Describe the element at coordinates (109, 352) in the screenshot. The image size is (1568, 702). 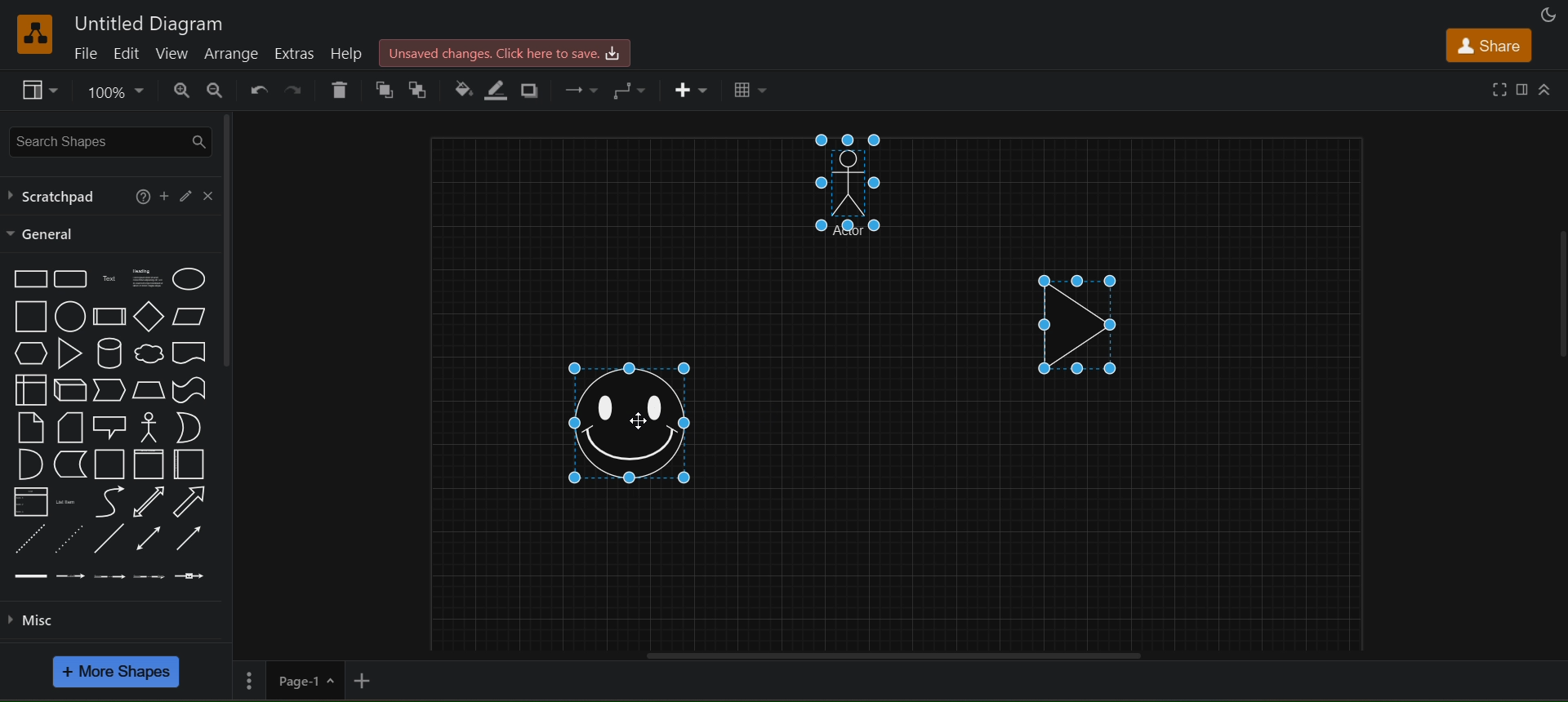
I see `cylinder` at that location.